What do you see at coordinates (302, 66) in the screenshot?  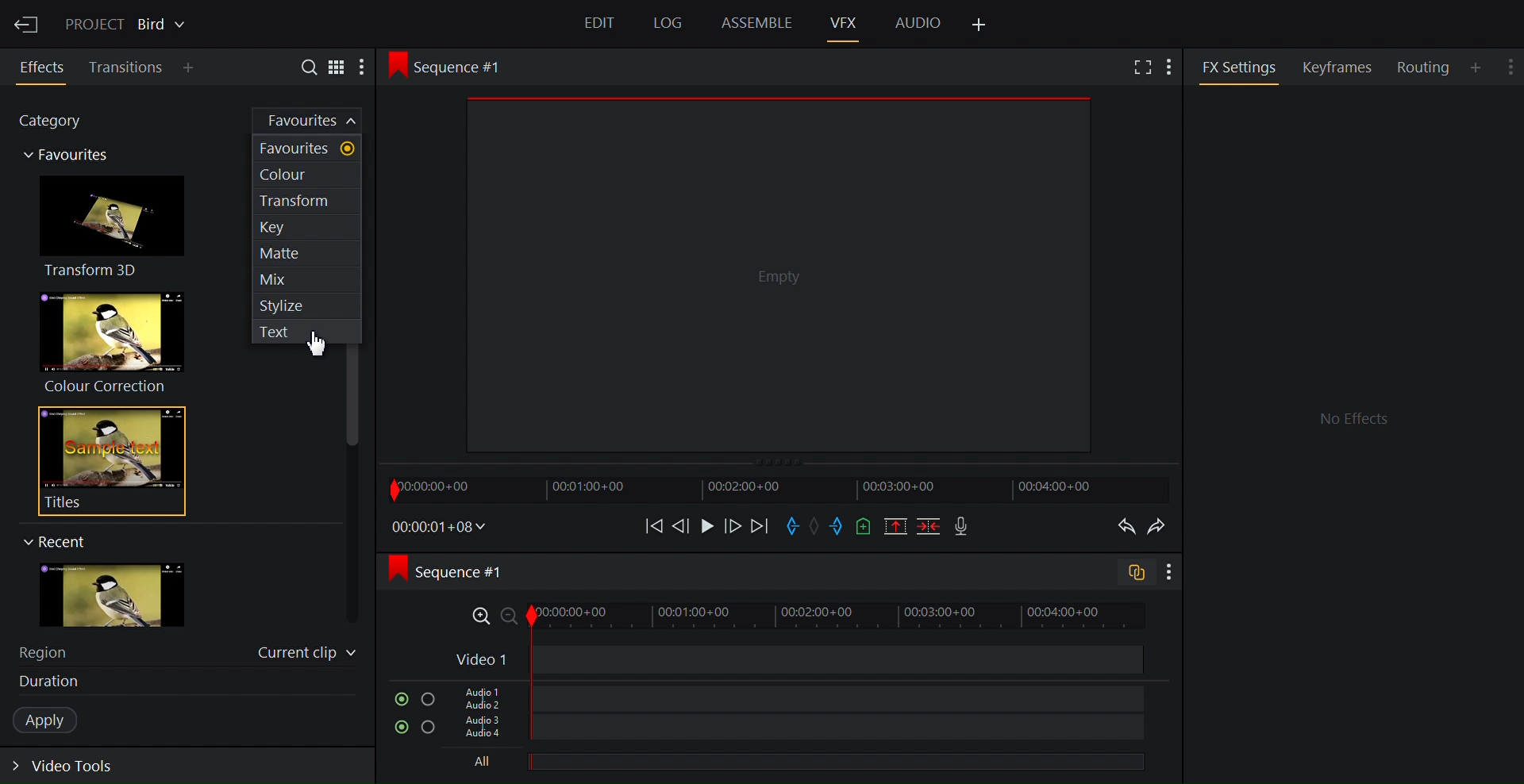 I see `Search` at bounding box center [302, 66].